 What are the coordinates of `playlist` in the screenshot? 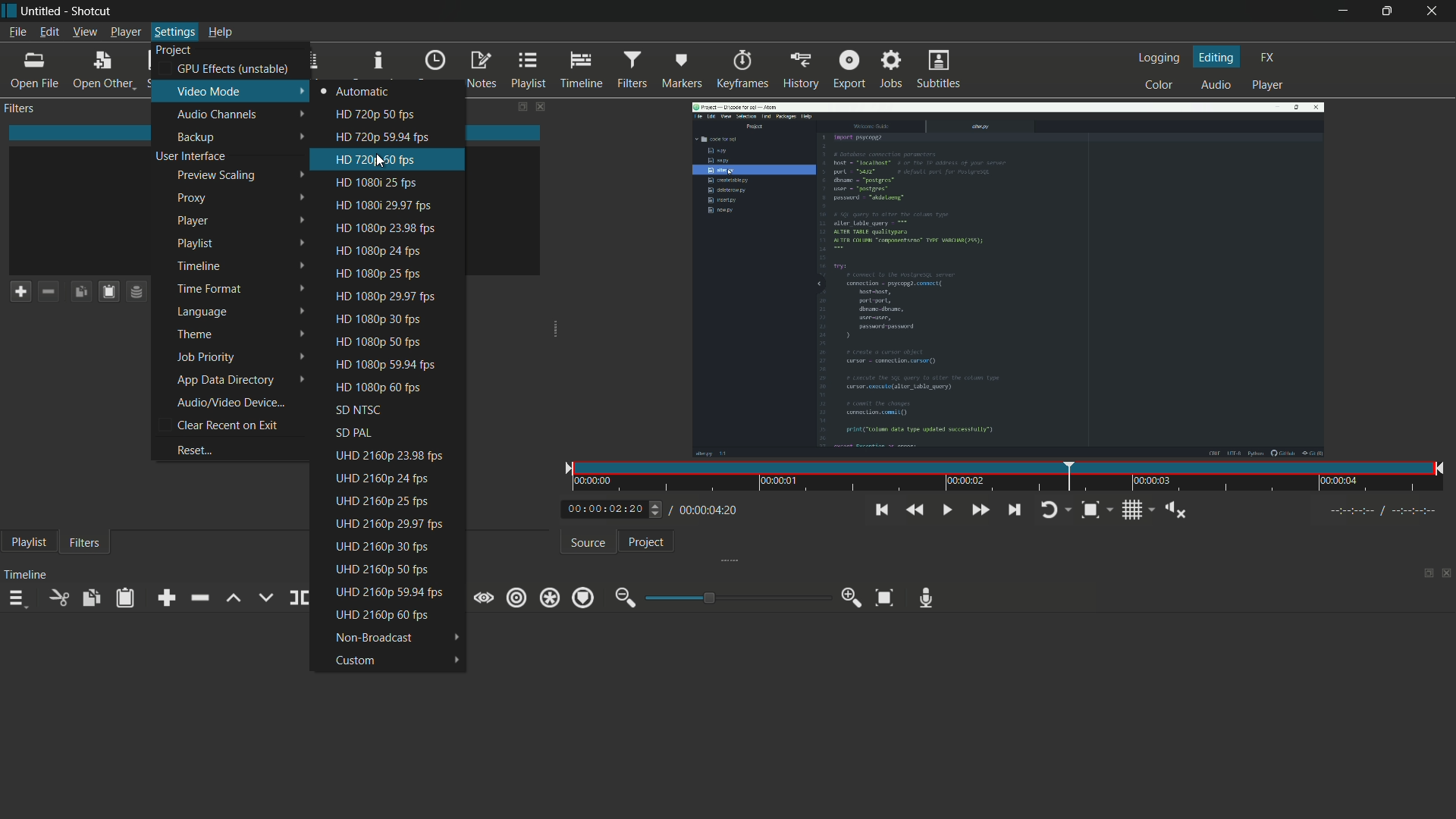 It's located at (26, 544).